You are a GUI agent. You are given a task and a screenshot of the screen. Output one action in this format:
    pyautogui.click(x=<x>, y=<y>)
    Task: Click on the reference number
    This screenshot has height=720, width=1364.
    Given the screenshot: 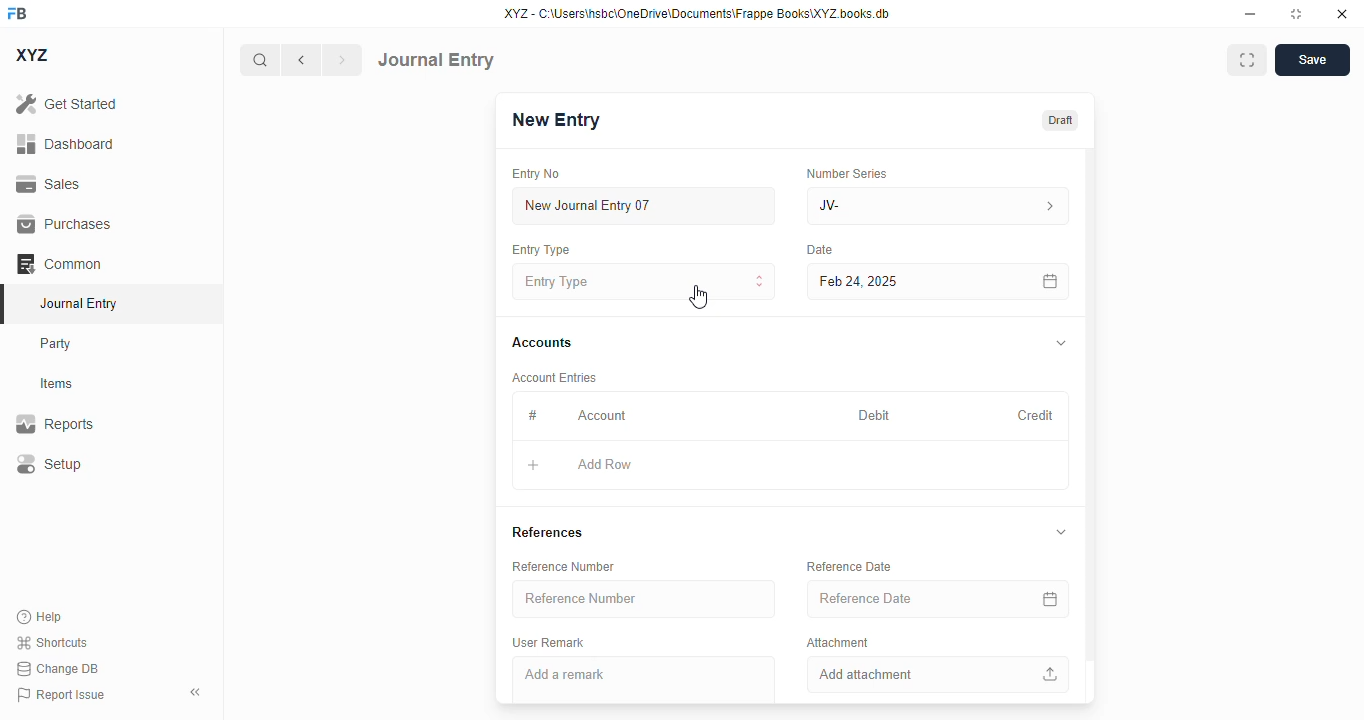 What is the action you would take?
    pyautogui.click(x=564, y=566)
    